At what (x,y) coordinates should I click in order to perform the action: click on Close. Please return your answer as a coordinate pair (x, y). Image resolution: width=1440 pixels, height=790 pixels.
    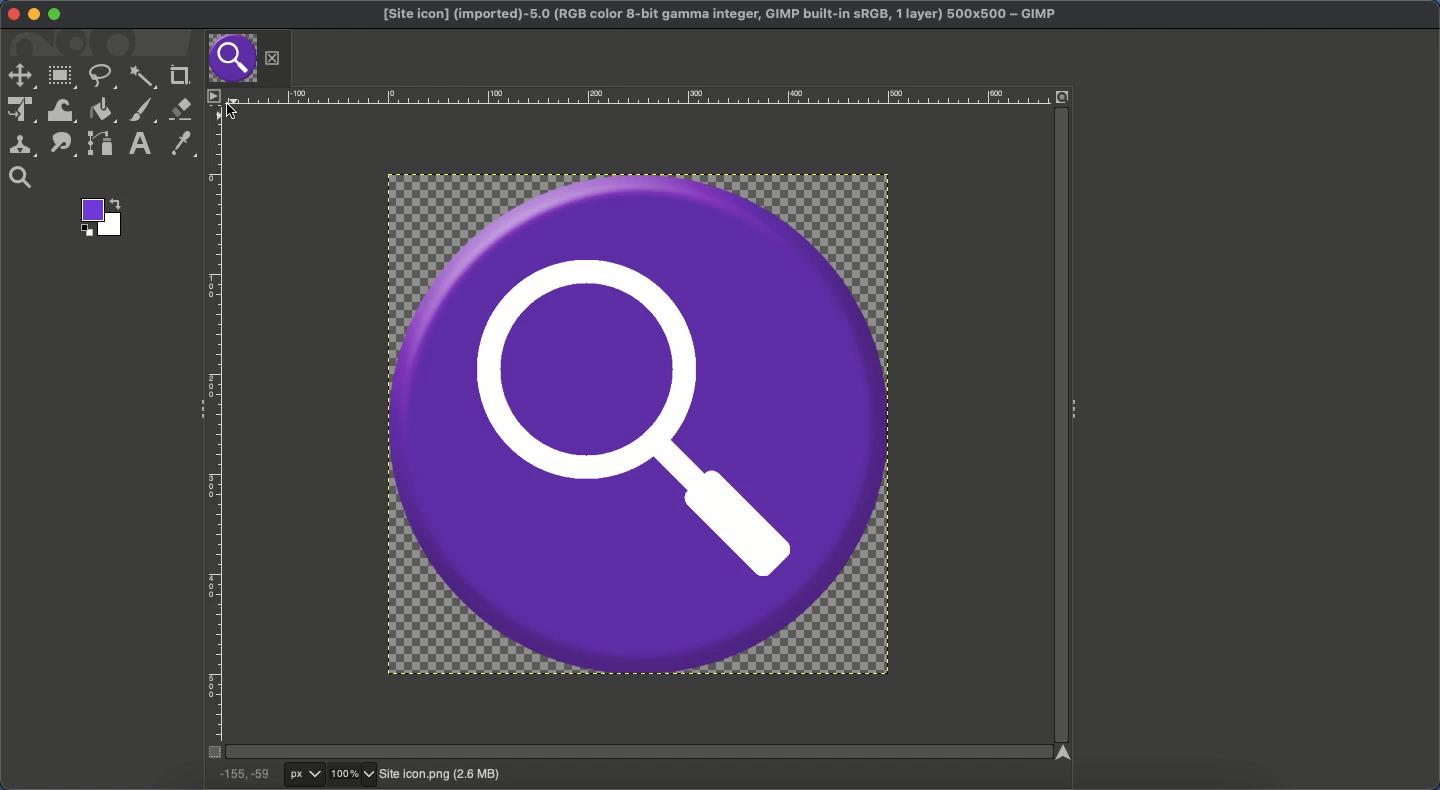
    Looking at the image, I should click on (9, 14).